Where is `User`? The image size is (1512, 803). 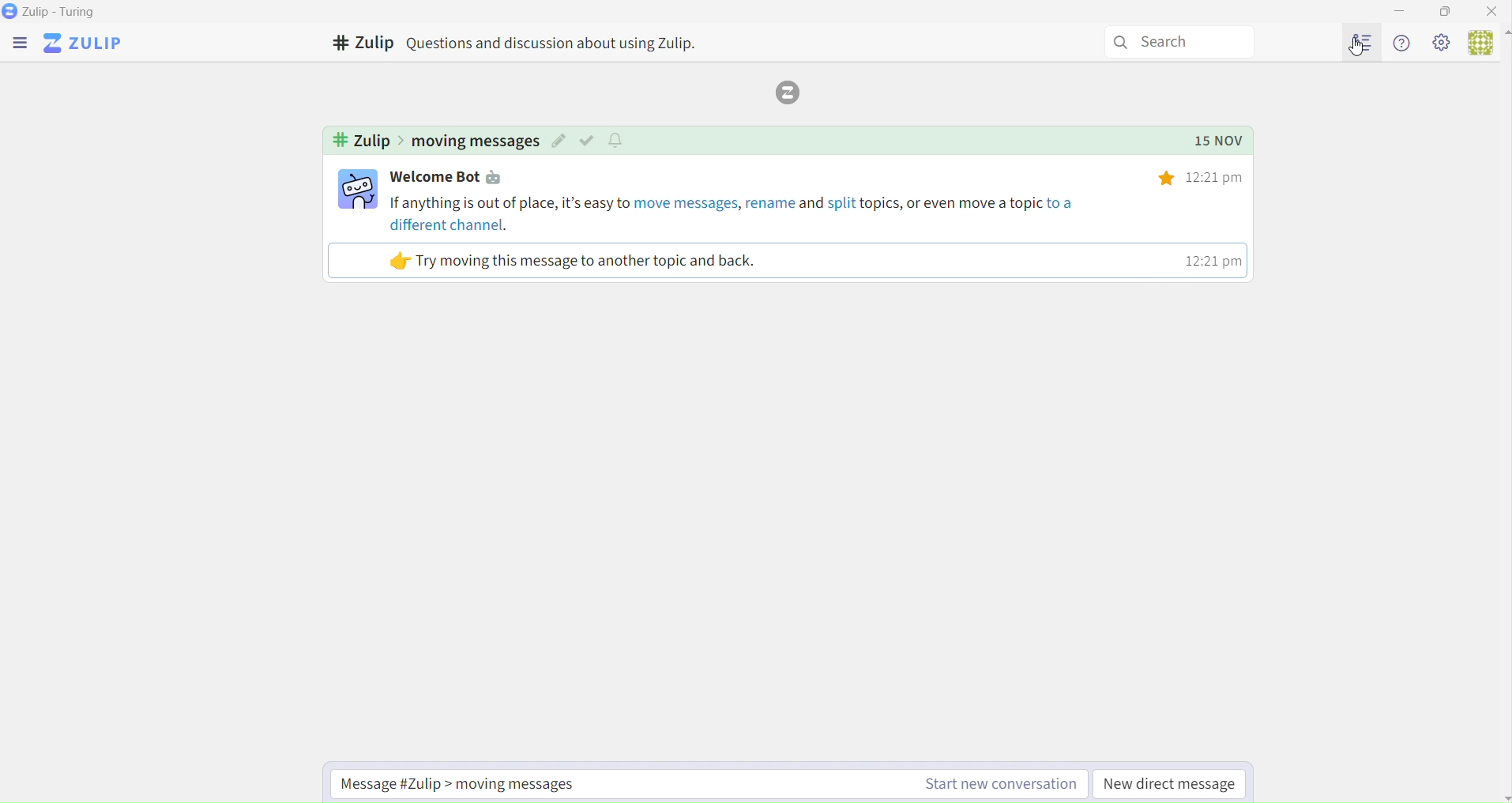 User is located at coordinates (1488, 41).